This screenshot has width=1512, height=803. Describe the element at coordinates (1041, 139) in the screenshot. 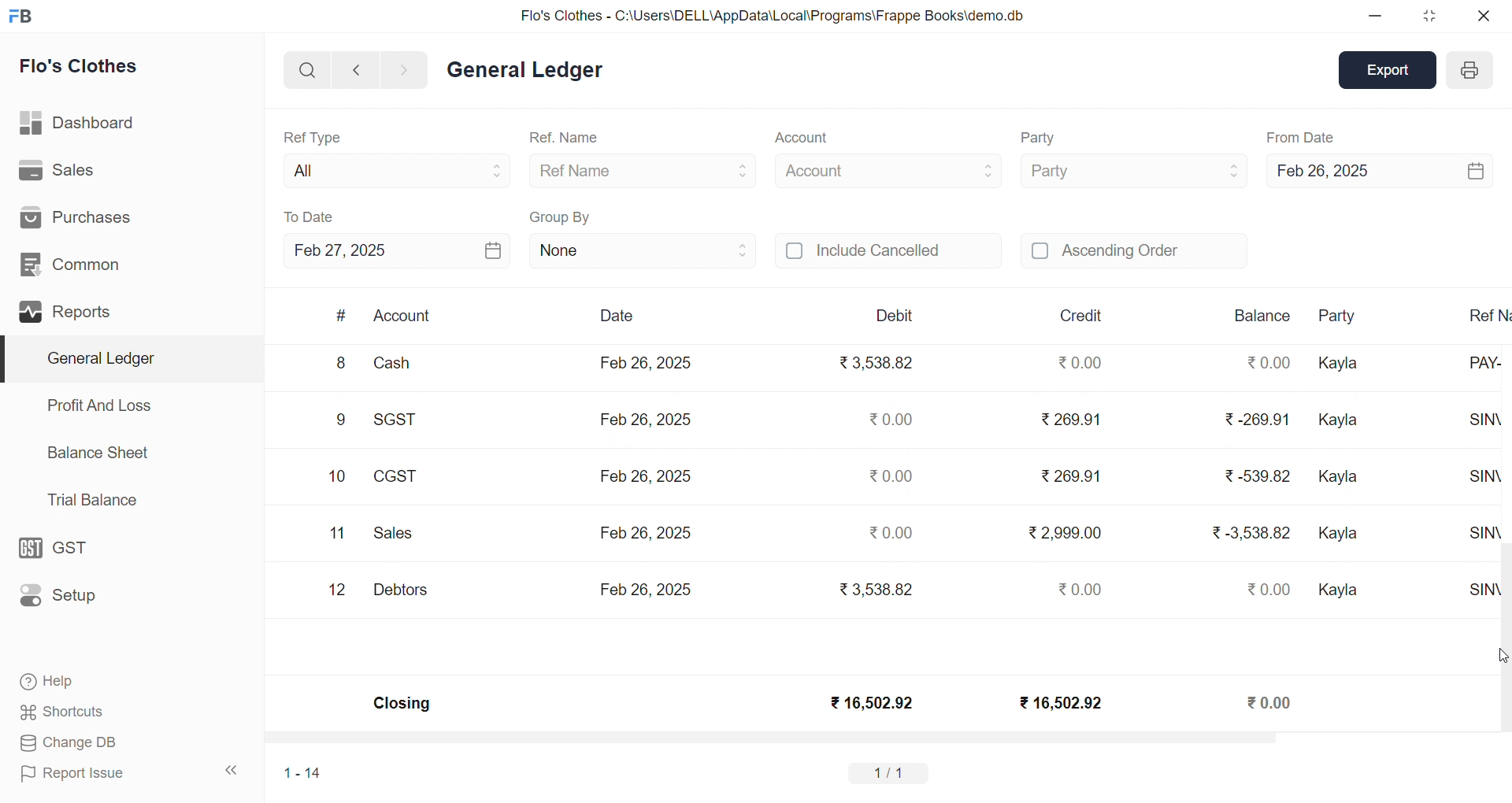

I see `Party` at that location.